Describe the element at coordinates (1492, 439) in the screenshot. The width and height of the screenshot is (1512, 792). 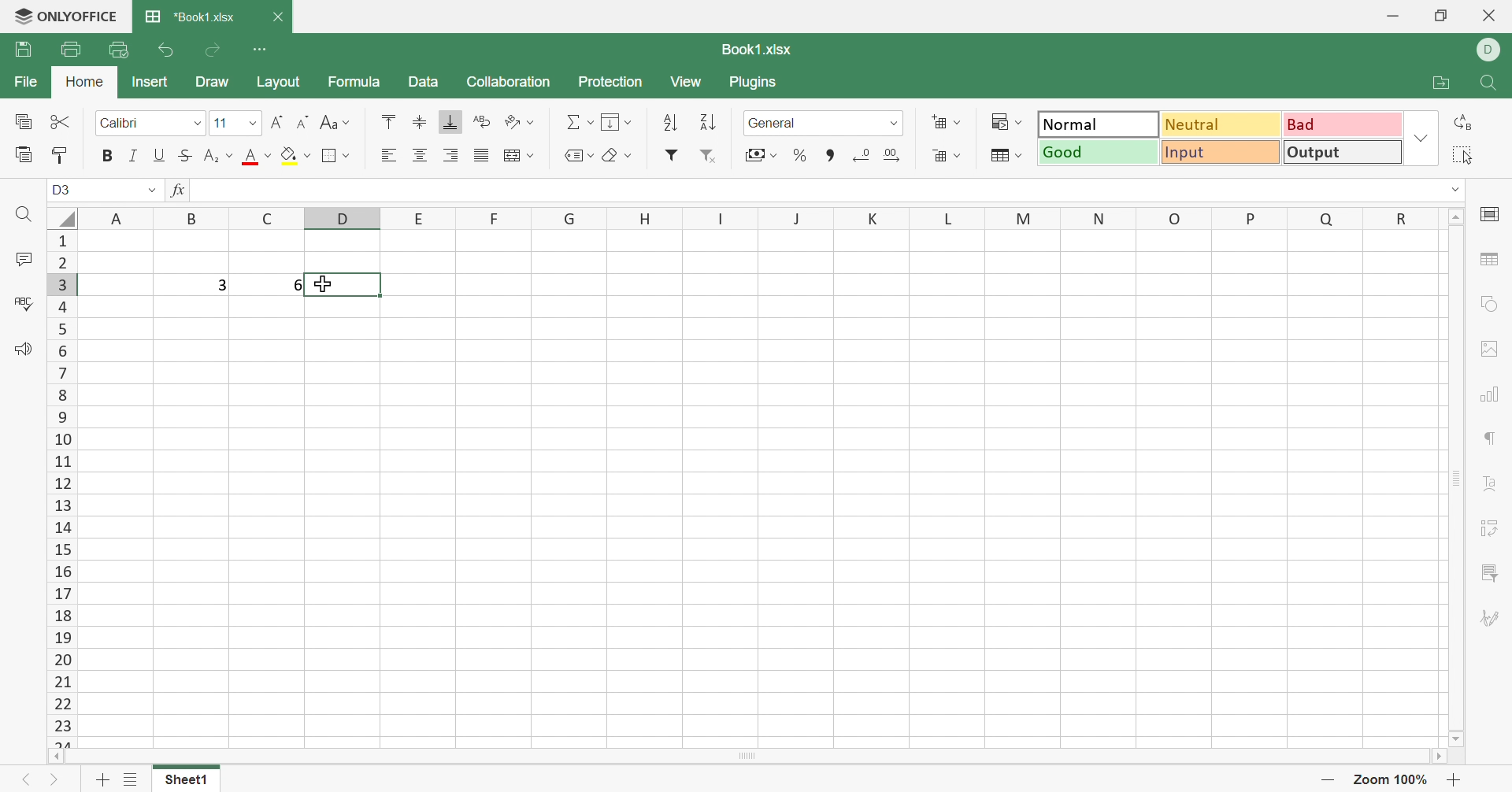
I see `Paragraph settings` at that location.